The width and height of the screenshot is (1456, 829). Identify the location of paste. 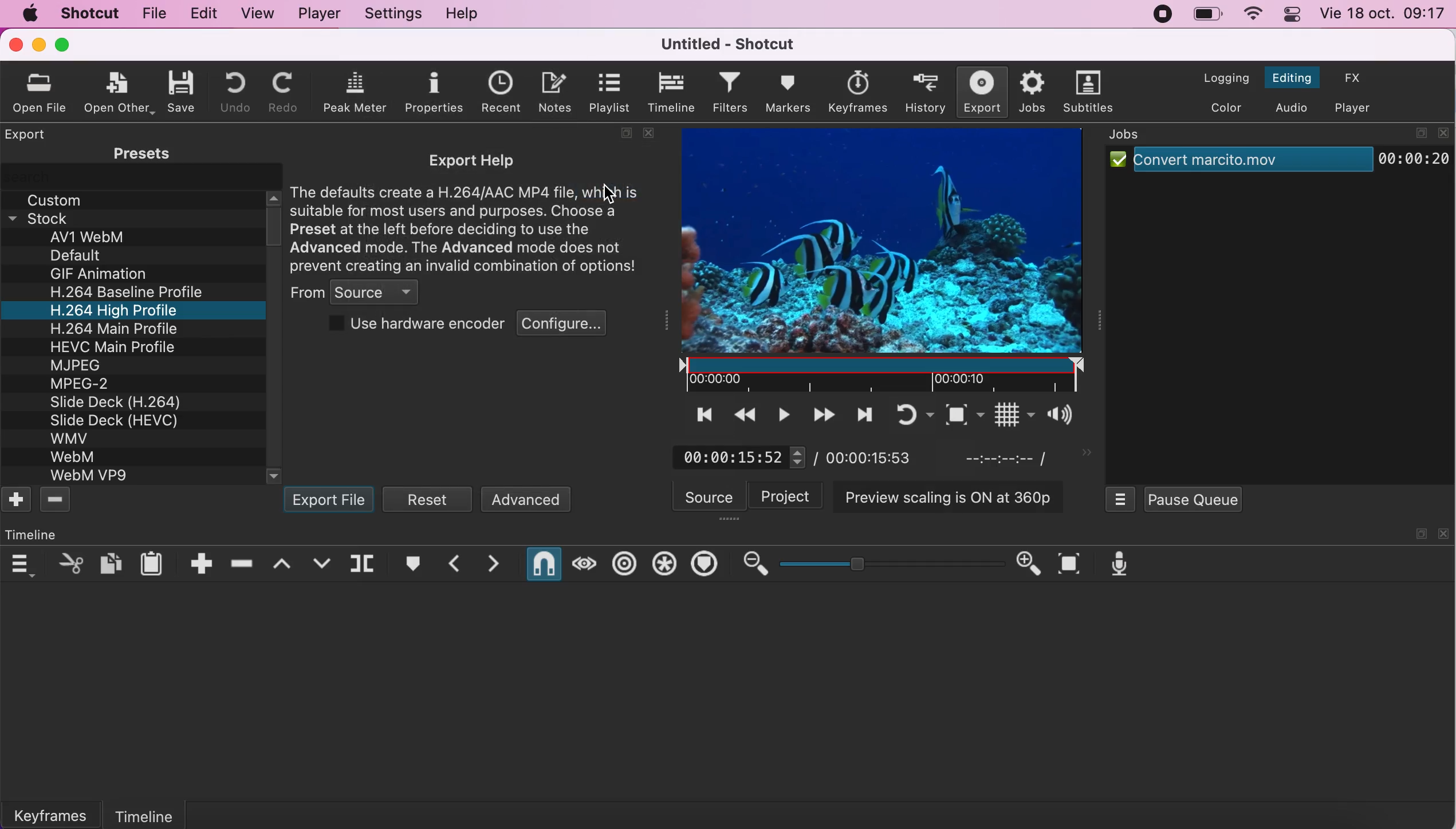
(154, 562).